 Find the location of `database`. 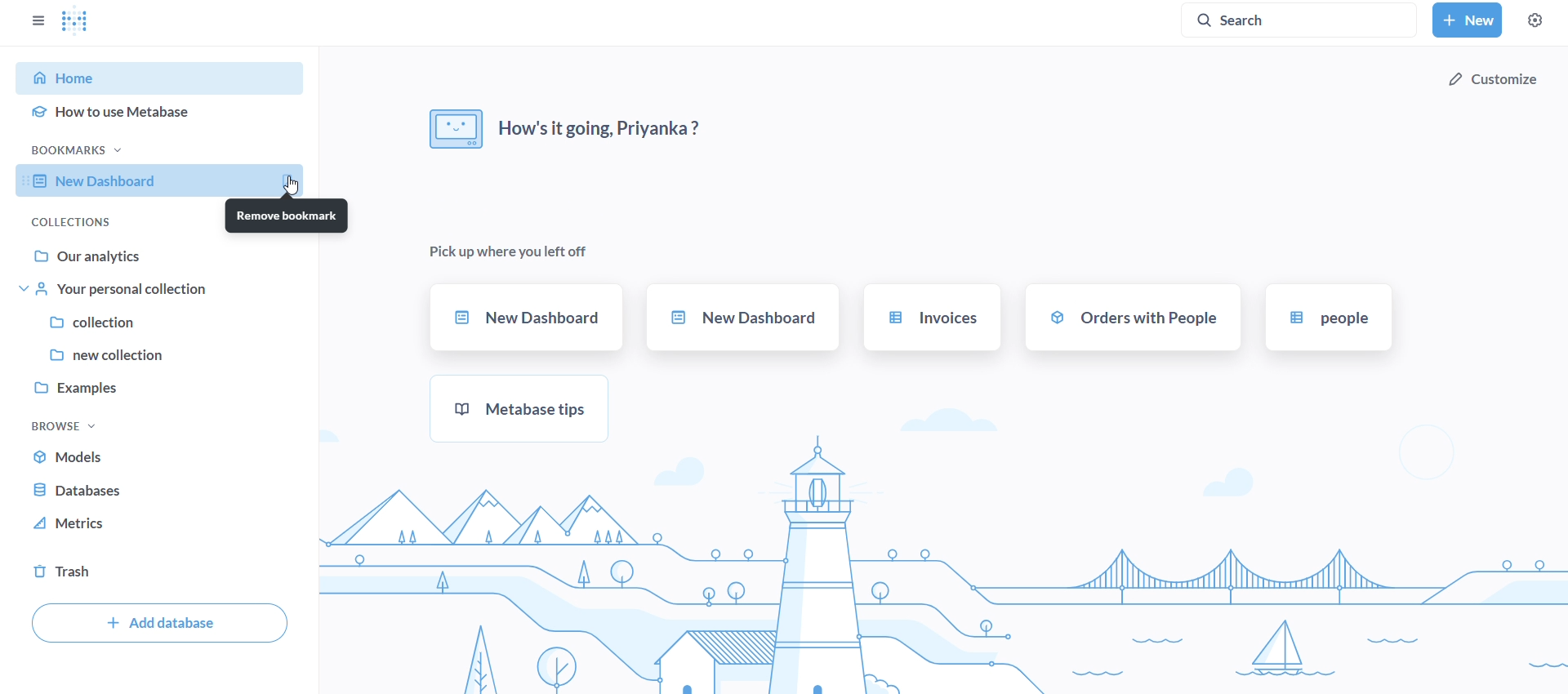

database is located at coordinates (76, 490).